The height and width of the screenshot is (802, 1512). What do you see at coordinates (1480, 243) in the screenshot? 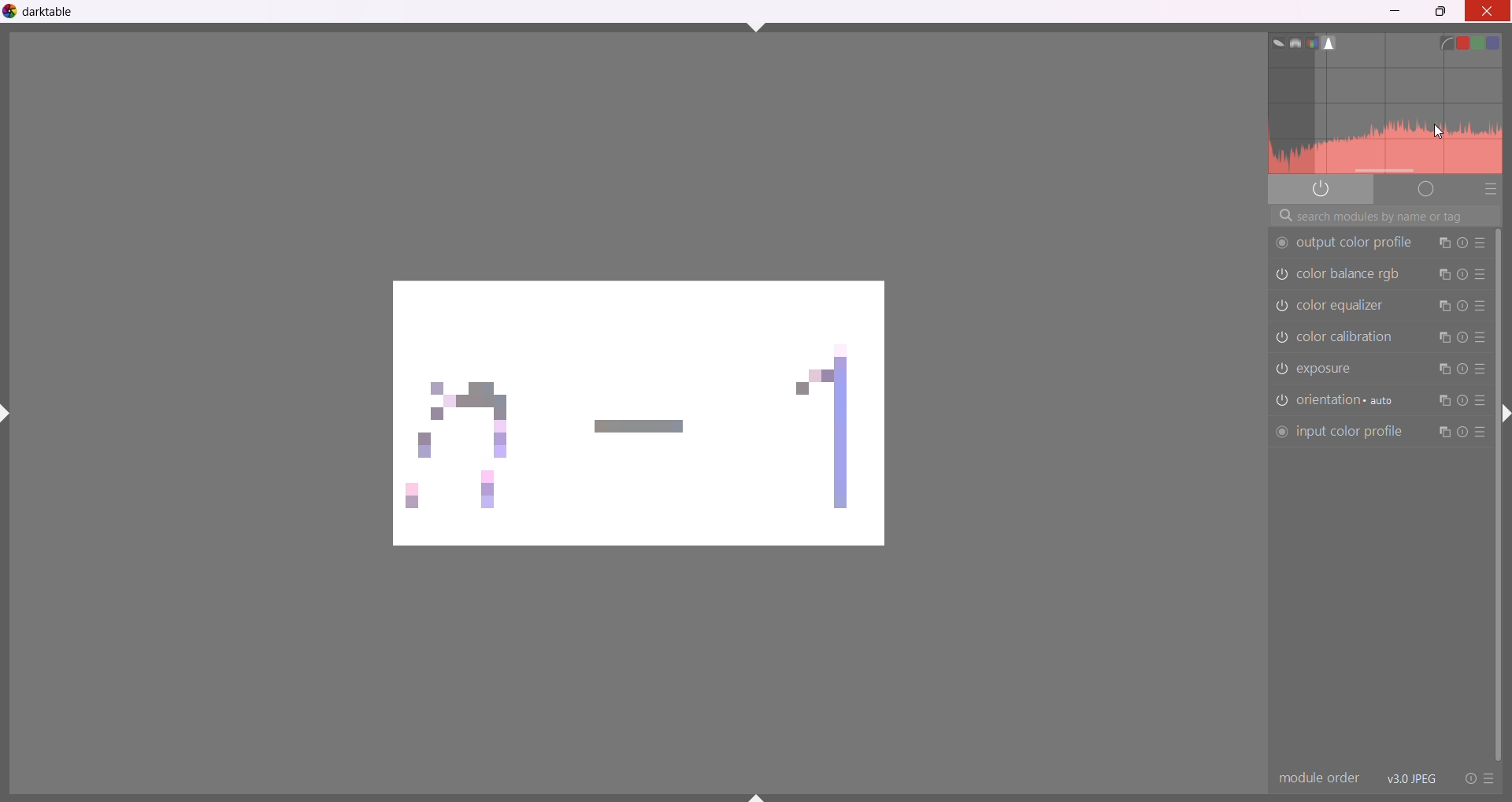
I see `presets` at bounding box center [1480, 243].